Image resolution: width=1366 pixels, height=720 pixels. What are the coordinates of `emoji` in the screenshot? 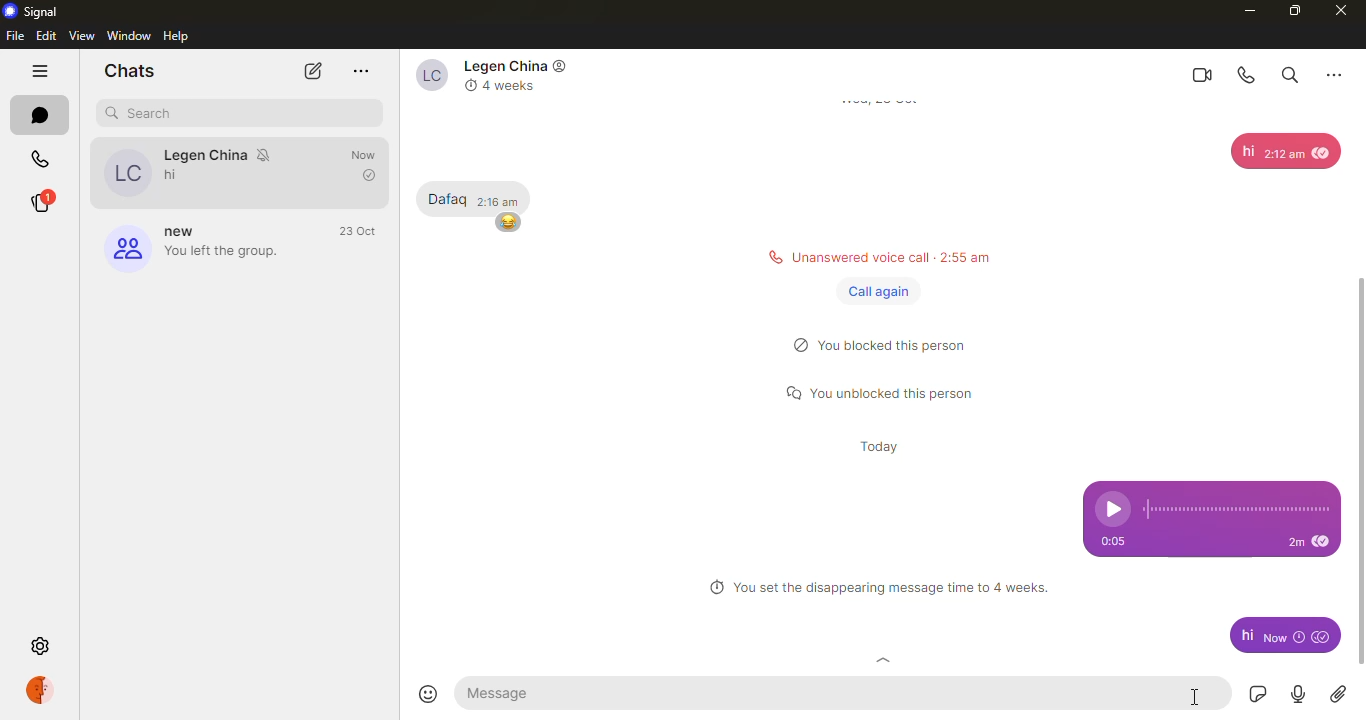 It's located at (431, 694).